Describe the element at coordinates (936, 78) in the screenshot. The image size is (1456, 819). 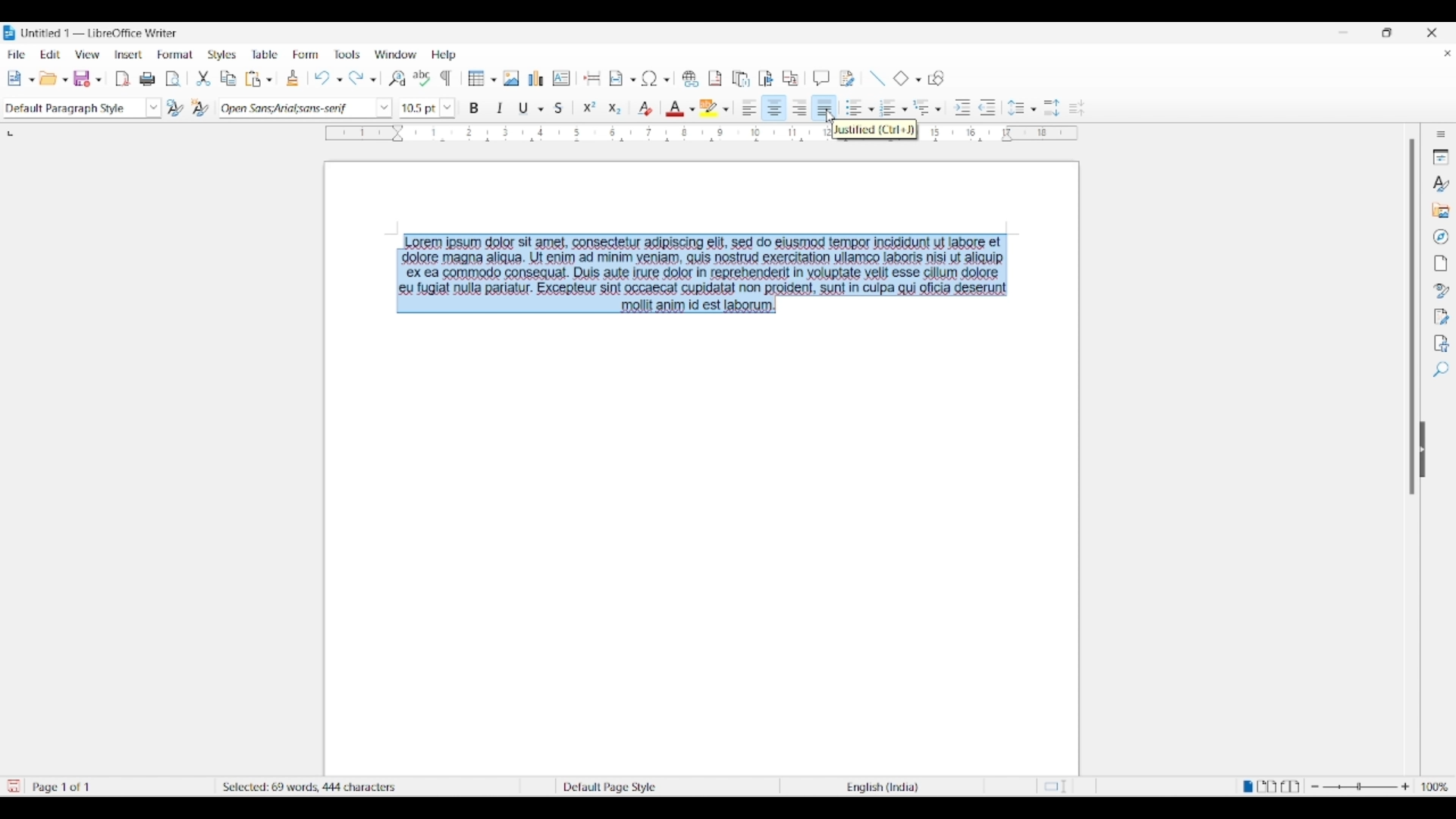
I see `Show draw functions` at that location.